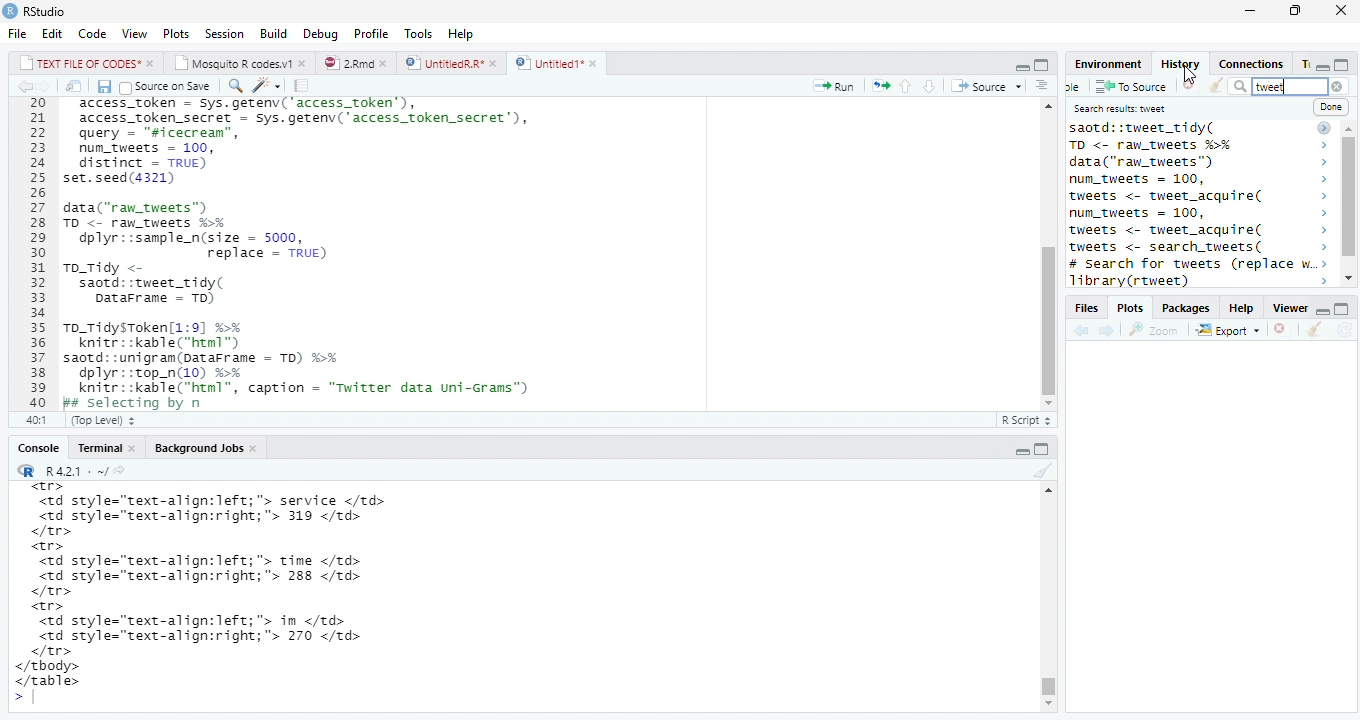 The height and width of the screenshot is (720, 1360). Describe the element at coordinates (17, 31) in the screenshot. I see `File` at that location.